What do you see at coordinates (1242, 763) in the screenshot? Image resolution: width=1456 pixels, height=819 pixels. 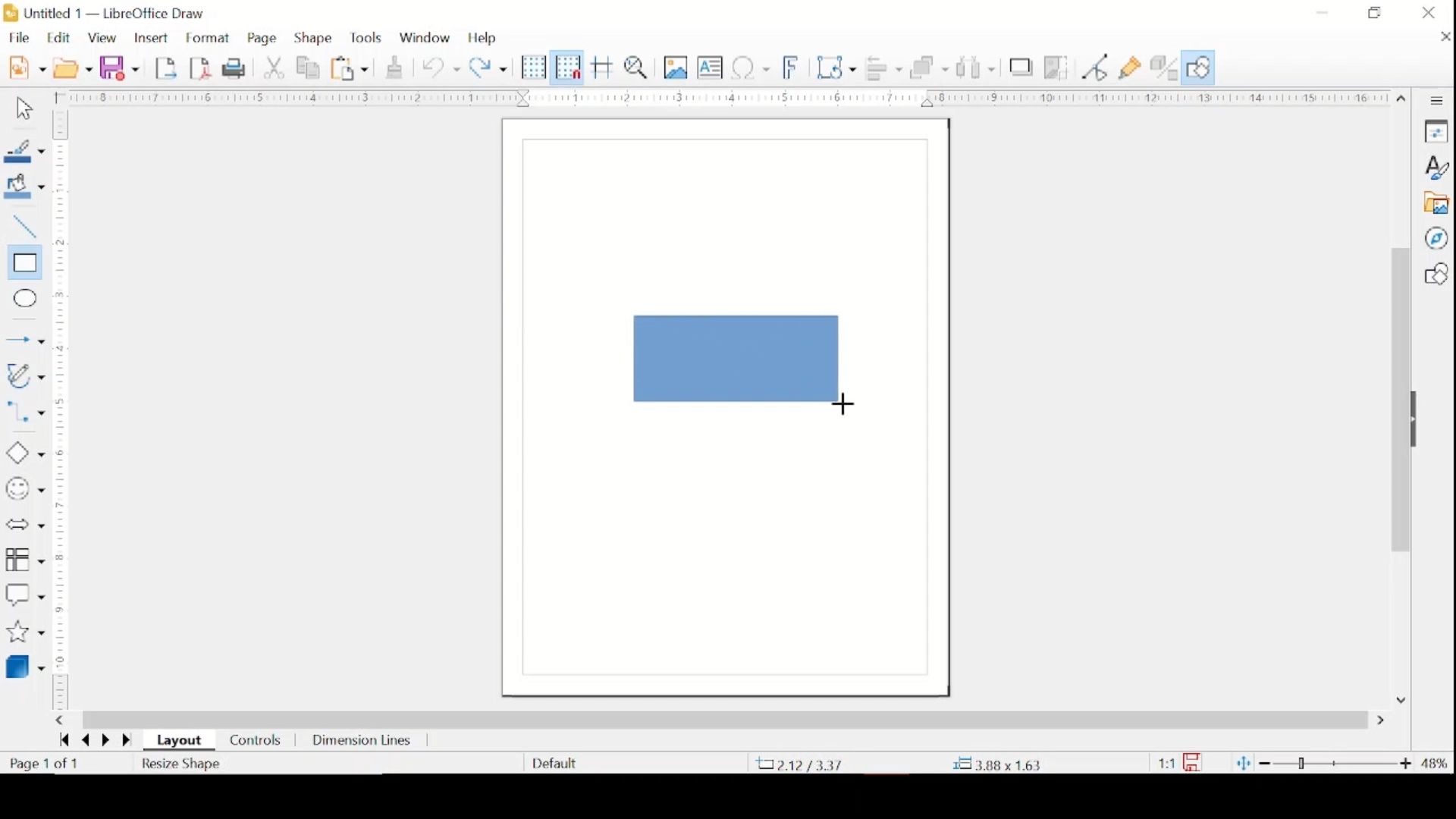 I see `fit to current window` at bounding box center [1242, 763].